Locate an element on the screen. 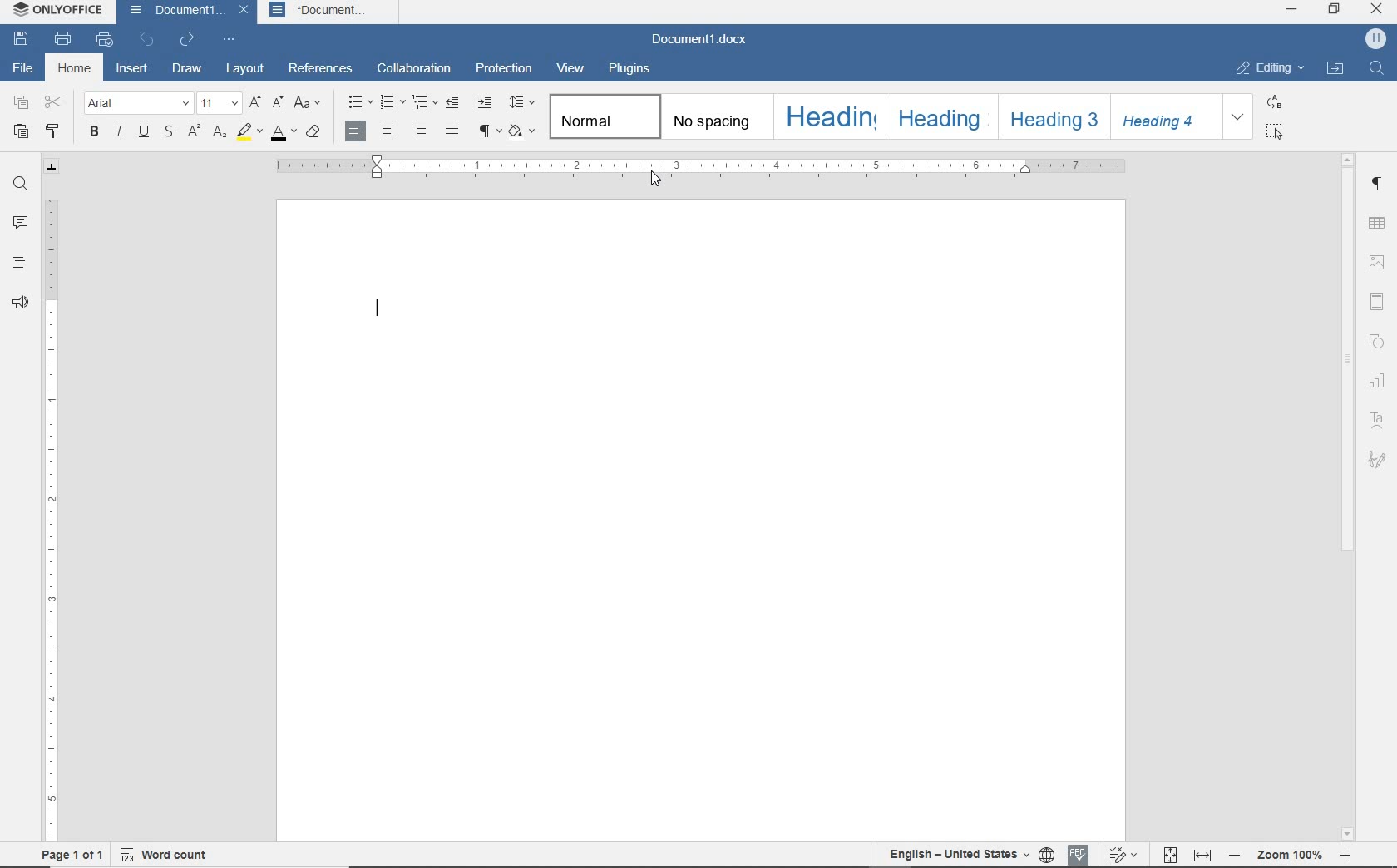  CUSTOMIZE QUICK ACCESS TOOLBAR is located at coordinates (230, 39).